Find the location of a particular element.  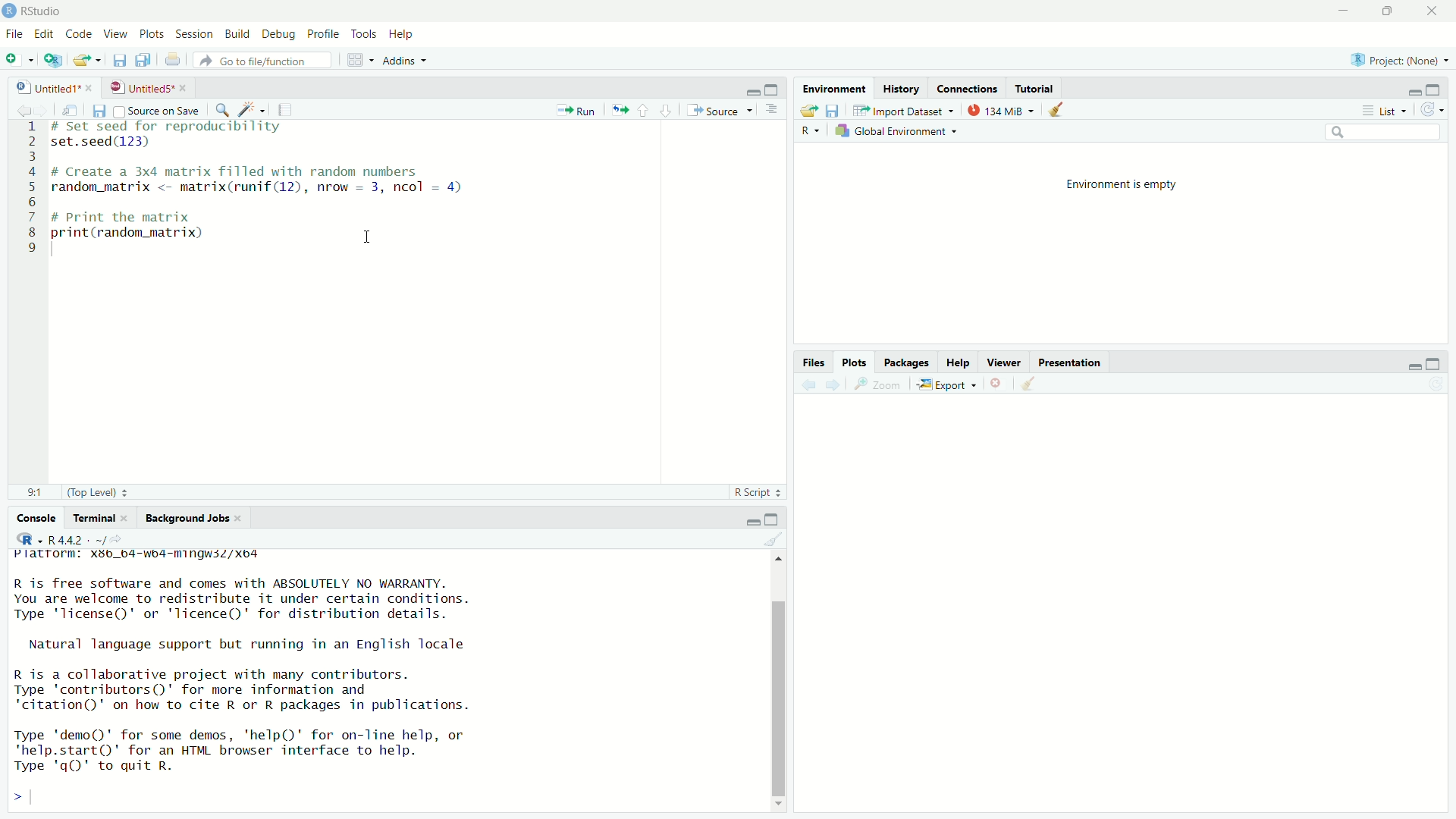

maximise is located at coordinates (1439, 364).